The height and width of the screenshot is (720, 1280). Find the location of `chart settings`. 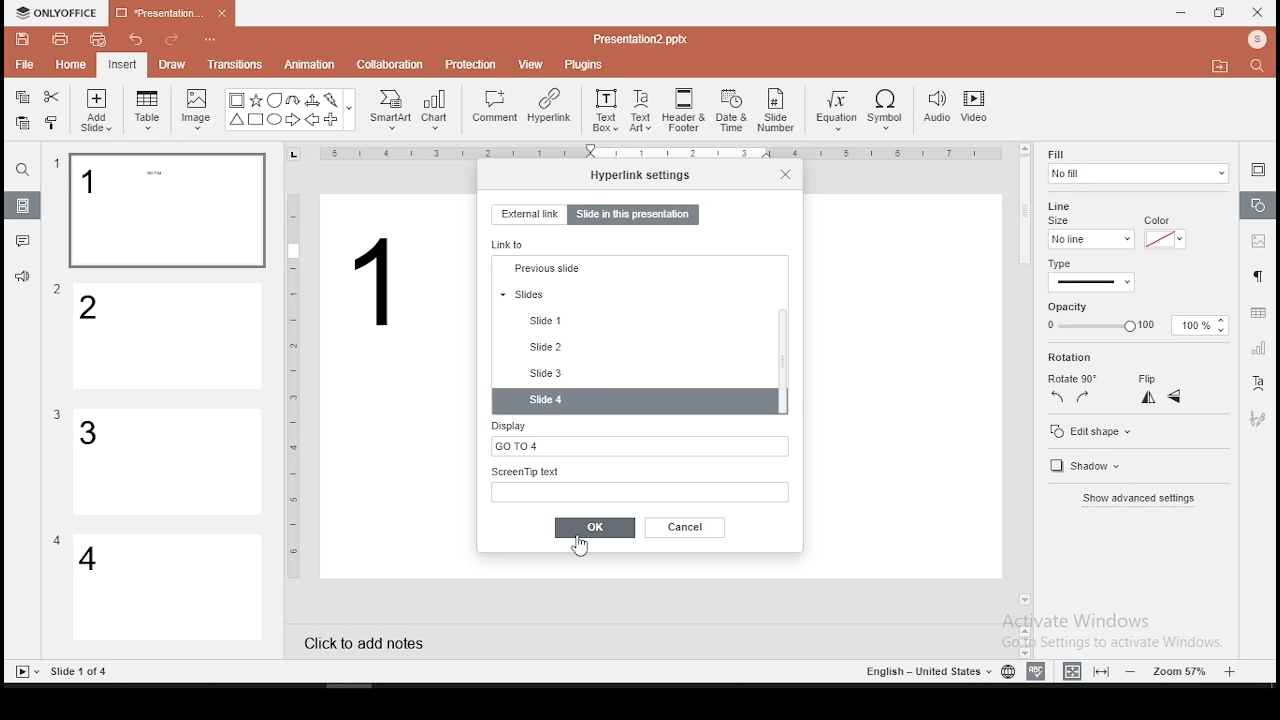

chart settings is located at coordinates (1257, 348).